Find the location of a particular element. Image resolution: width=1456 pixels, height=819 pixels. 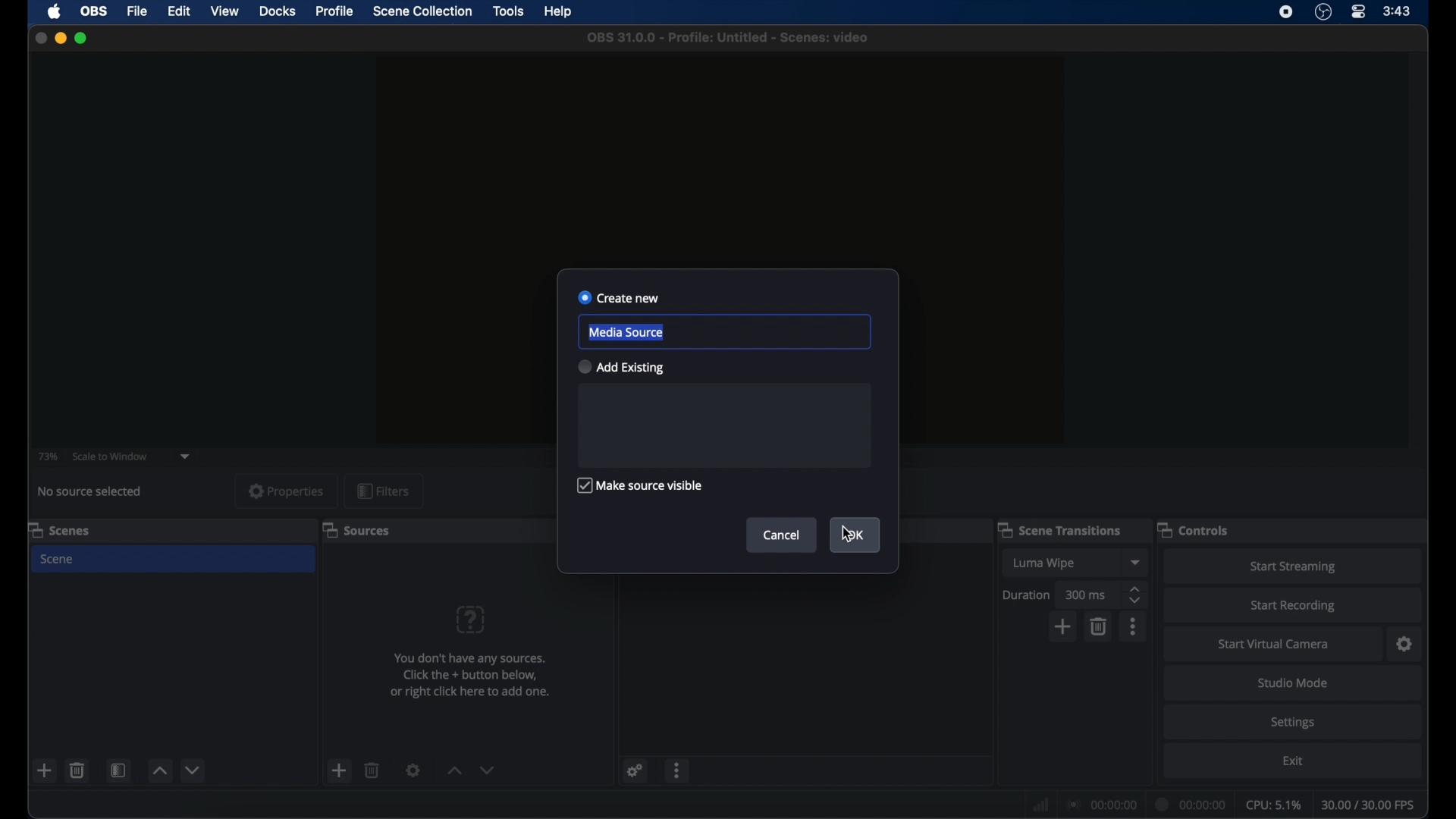

cpu: 5.1% is located at coordinates (1272, 805).